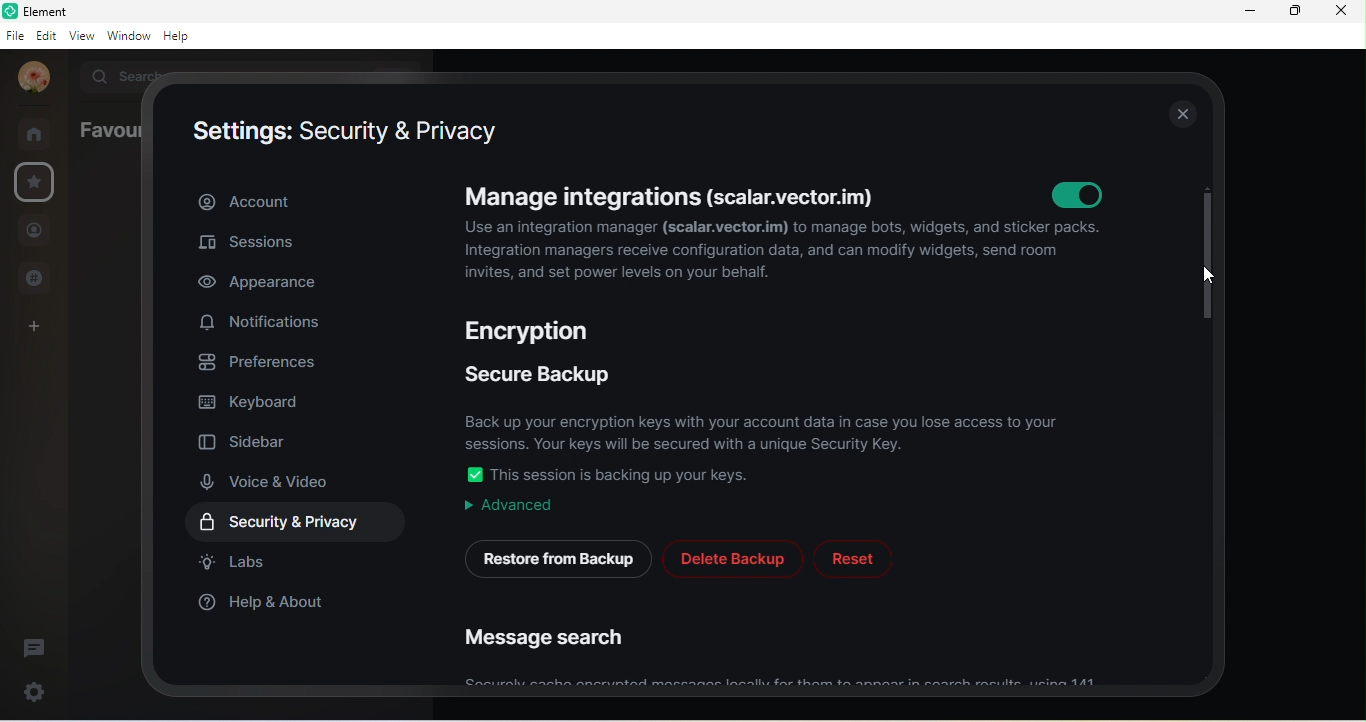 The width and height of the screenshot is (1366, 722). Describe the element at coordinates (266, 323) in the screenshot. I see `notifications` at that location.